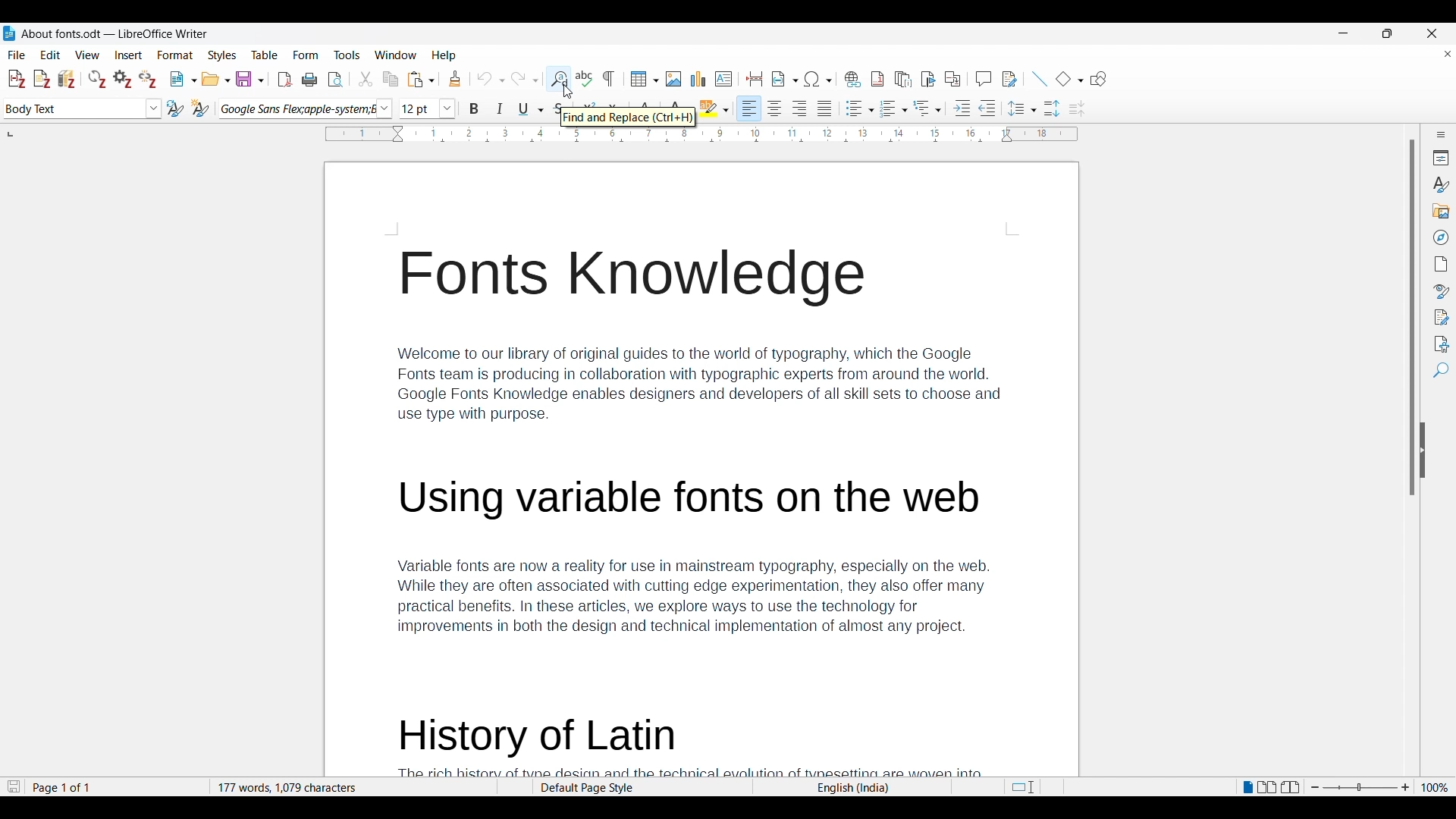  I want to click on Format menu, so click(176, 55).